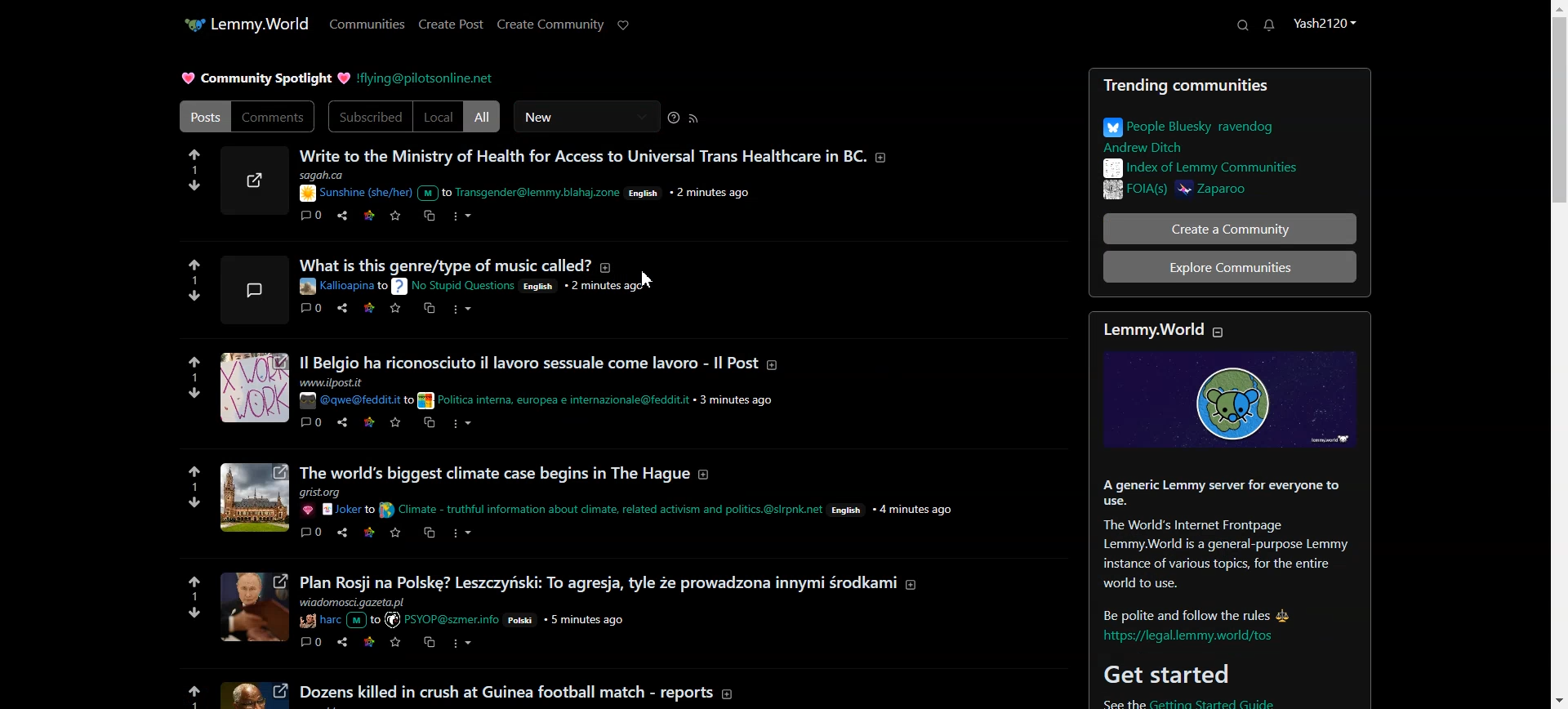 This screenshot has width=1568, height=709. Describe the element at coordinates (254, 386) in the screenshot. I see `image` at that location.